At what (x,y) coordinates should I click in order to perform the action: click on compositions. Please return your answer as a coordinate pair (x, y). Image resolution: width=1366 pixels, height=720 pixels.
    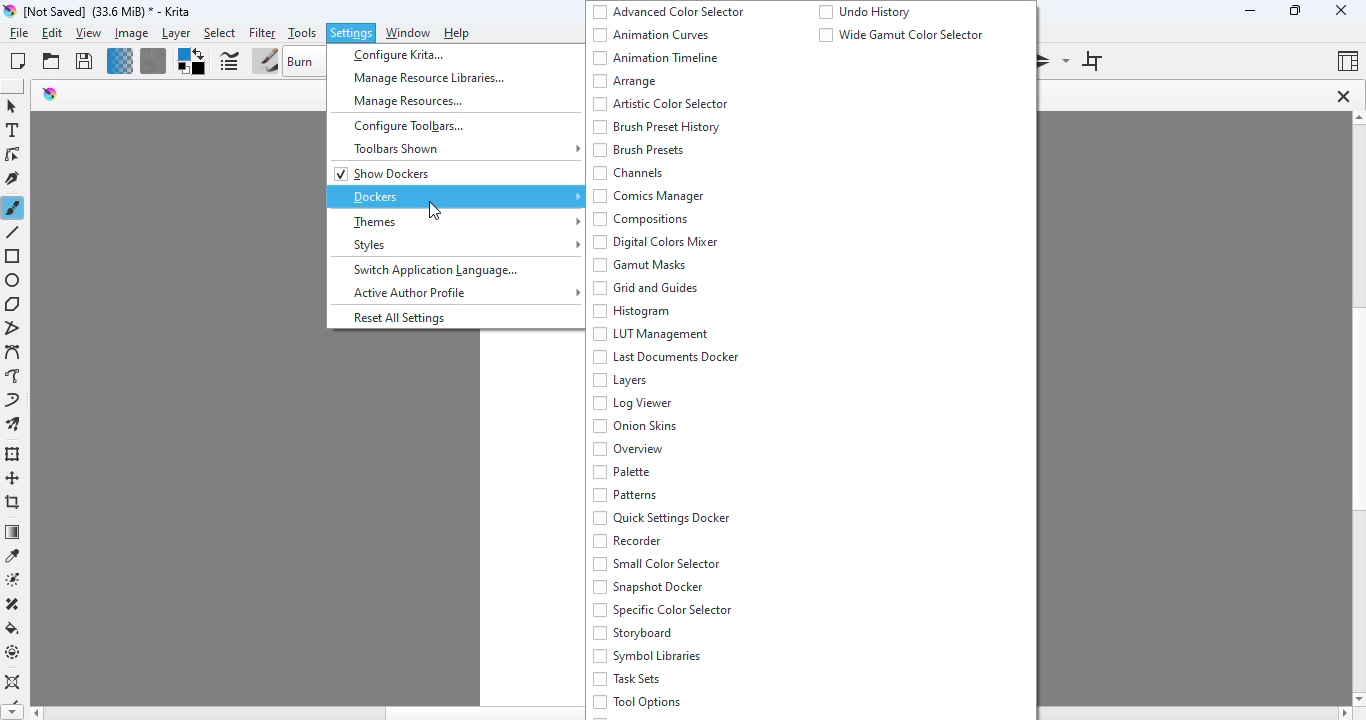
    Looking at the image, I should click on (641, 219).